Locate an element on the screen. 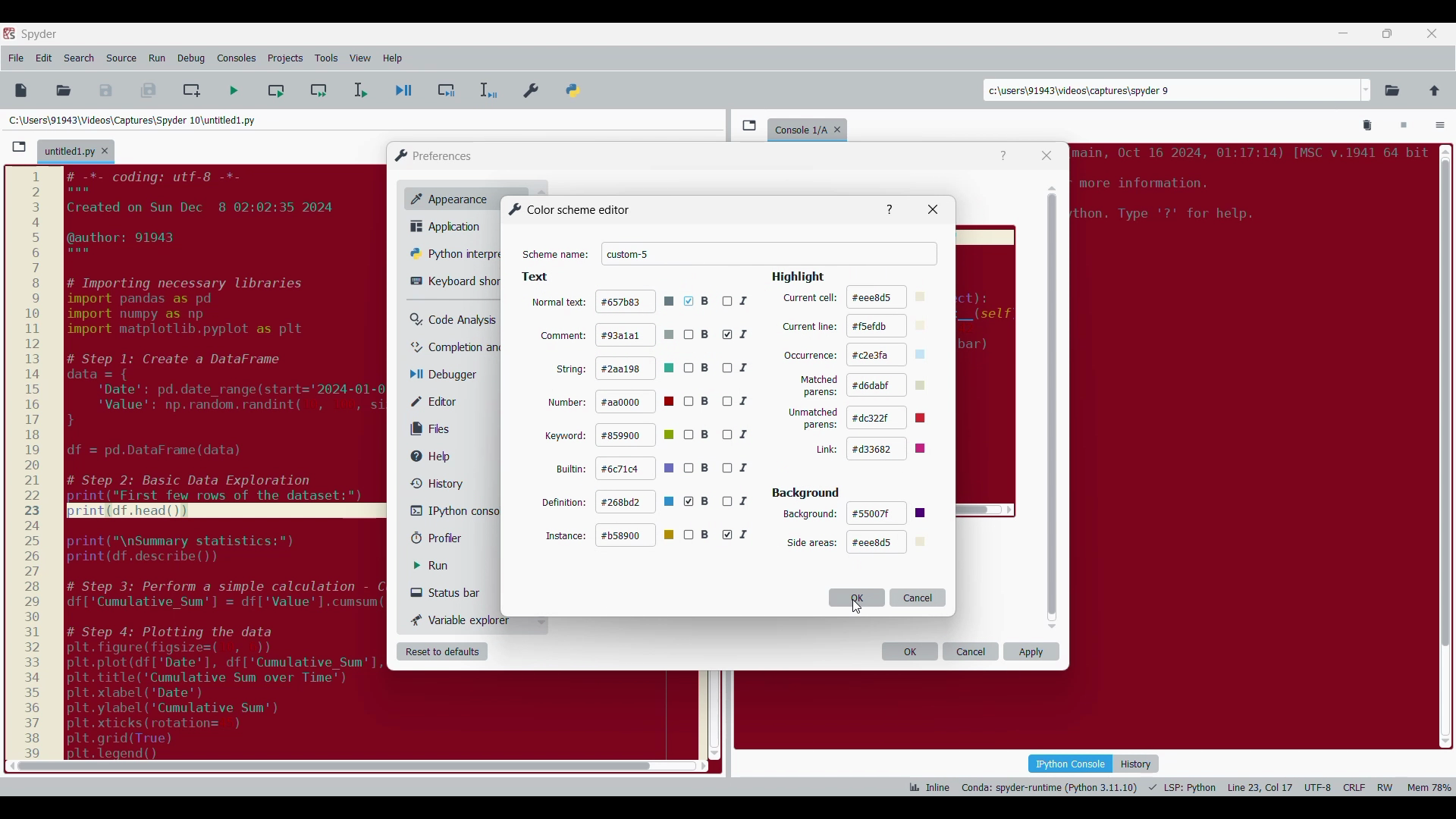 Image resolution: width=1456 pixels, height=819 pixels. Editor is located at coordinates (444, 401).